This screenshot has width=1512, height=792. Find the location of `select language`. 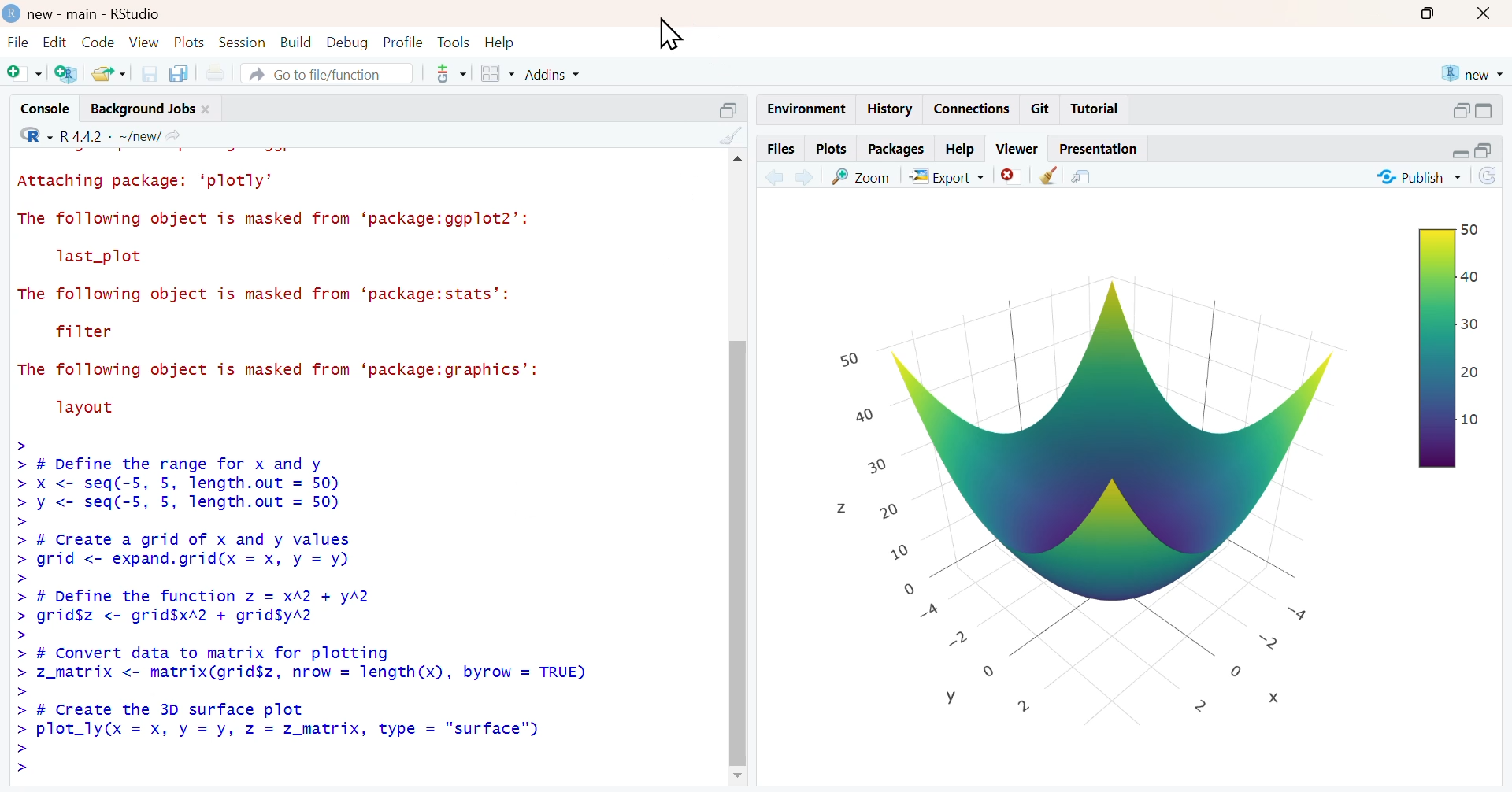

select language is located at coordinates (28, 134).